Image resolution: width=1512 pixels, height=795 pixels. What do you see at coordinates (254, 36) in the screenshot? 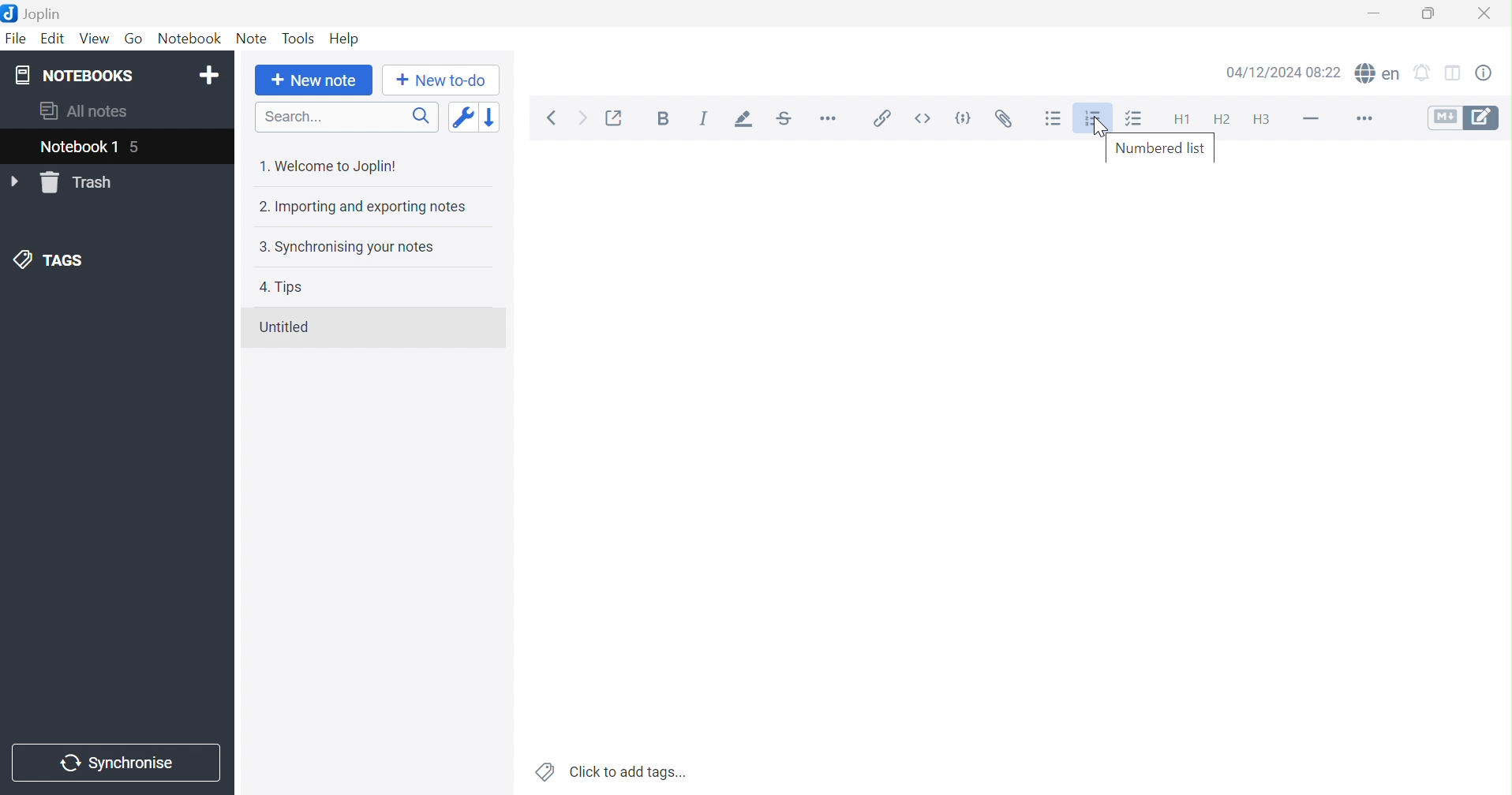
I see `Note` at bounding box center [254, 36].